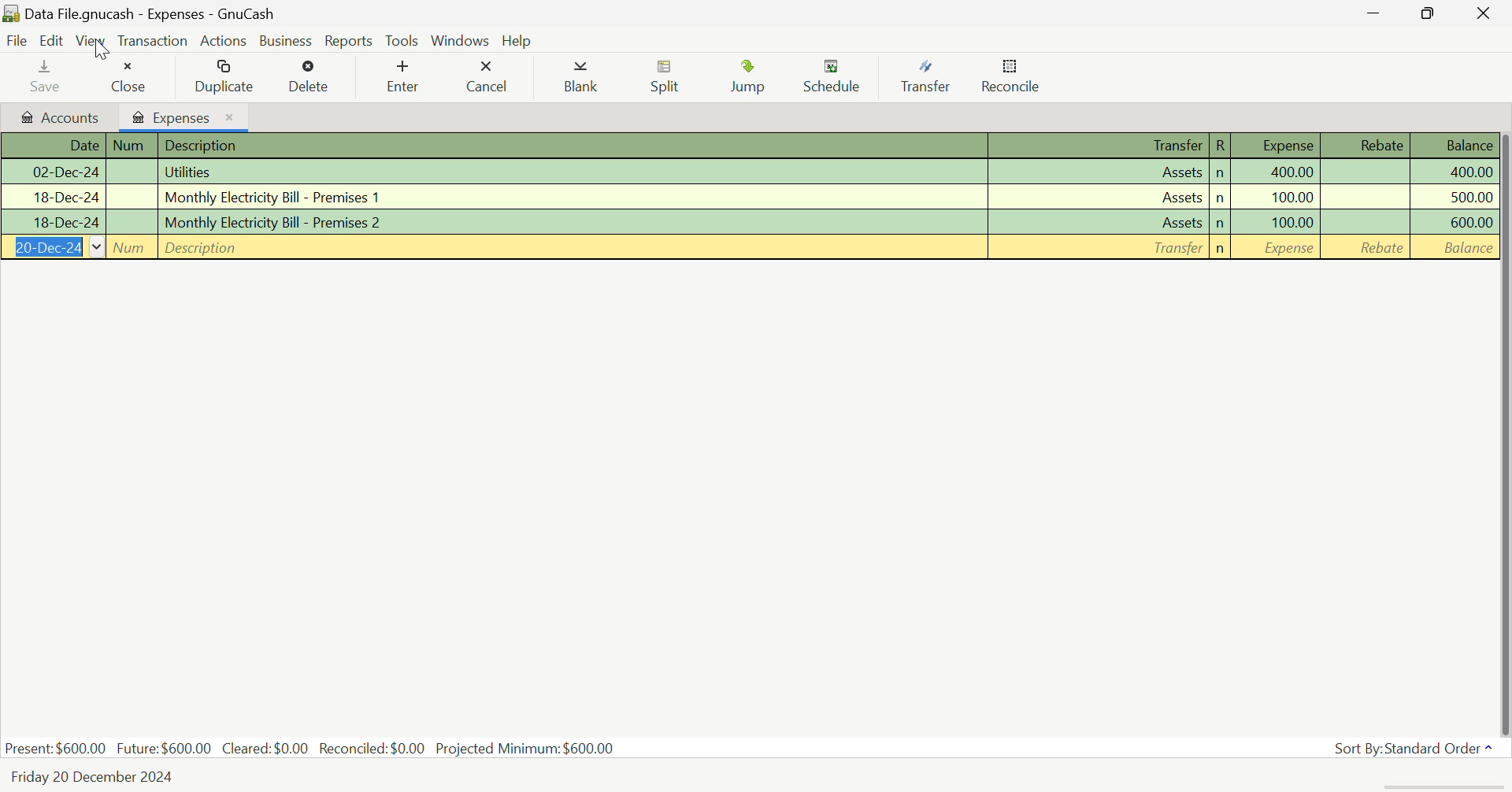 The height and width of the screenshot is (792, 1512). I want to click on Date, so click(51, 222).